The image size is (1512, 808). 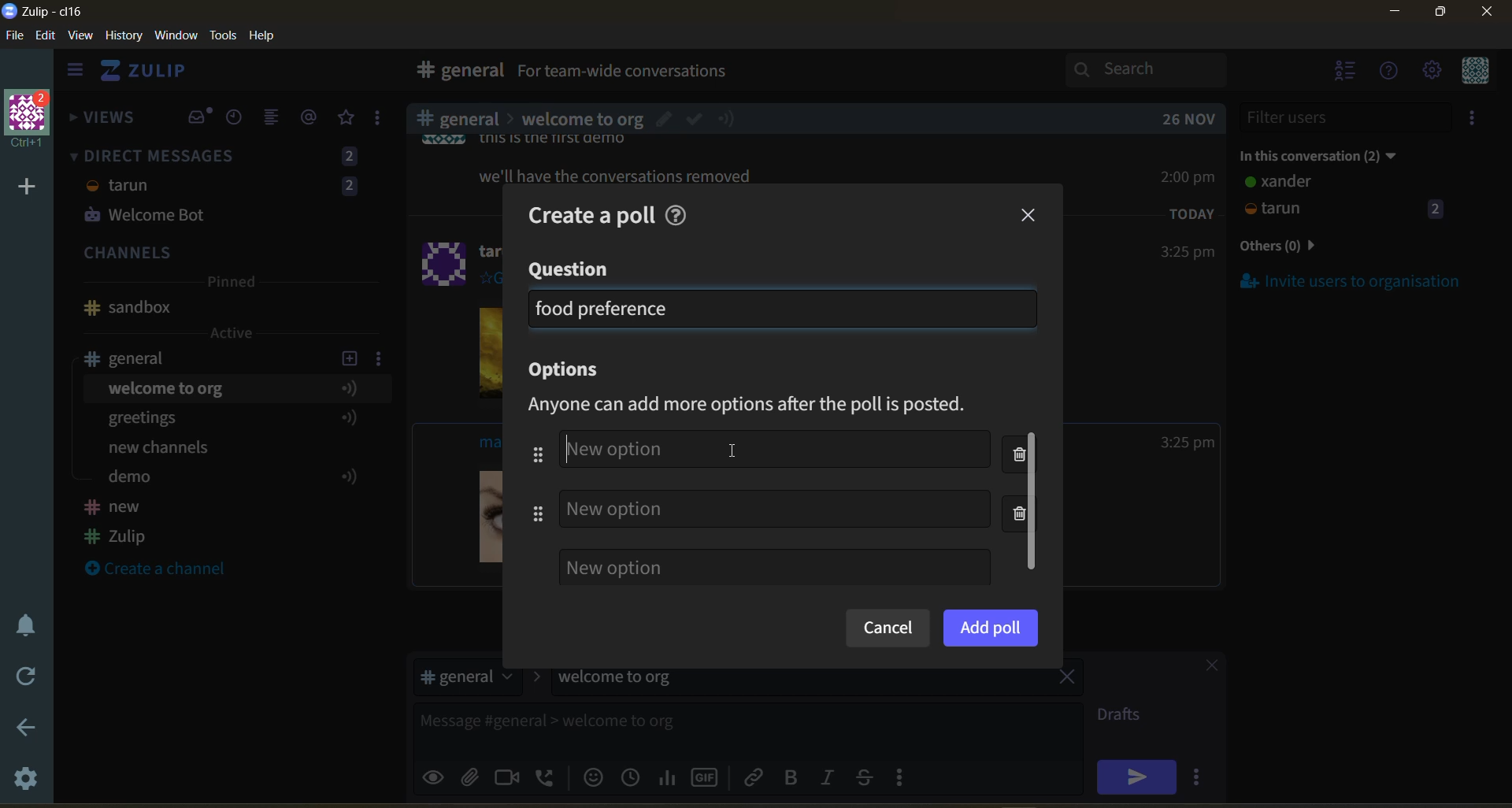 I want to click on close, so click(x=1488, y=17).